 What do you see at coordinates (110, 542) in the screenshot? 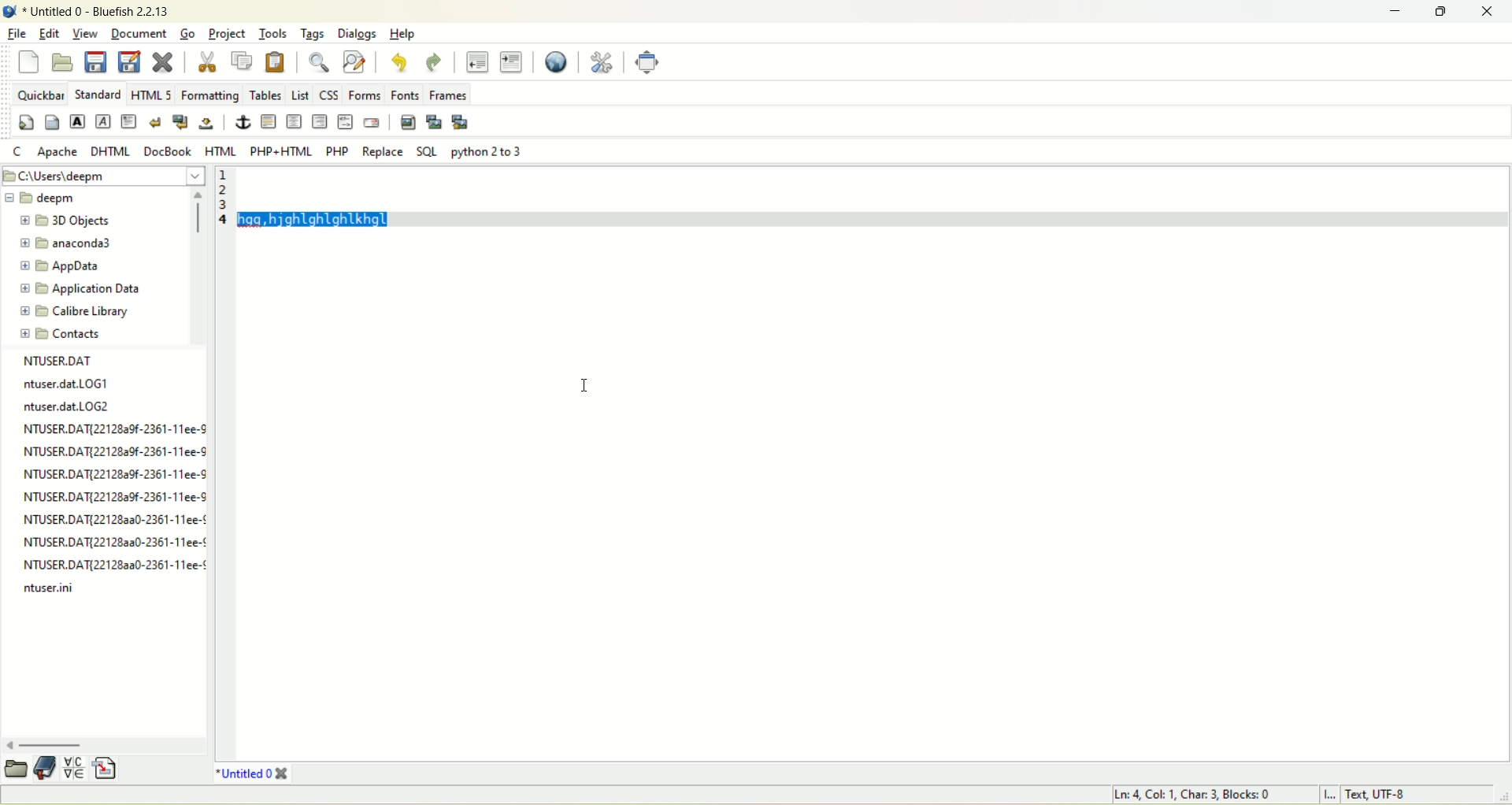
I see `NTUSER.DAT{22128a3a0-2361-11ee-¢` at bounding box center [110, 542].